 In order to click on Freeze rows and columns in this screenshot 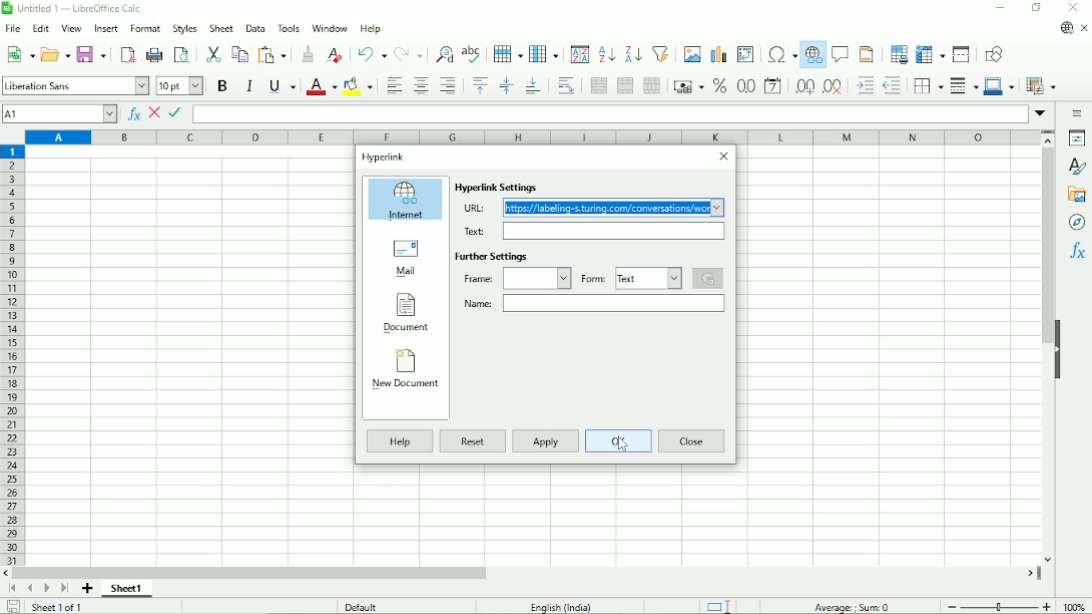, I will do `click(930, 55)`.